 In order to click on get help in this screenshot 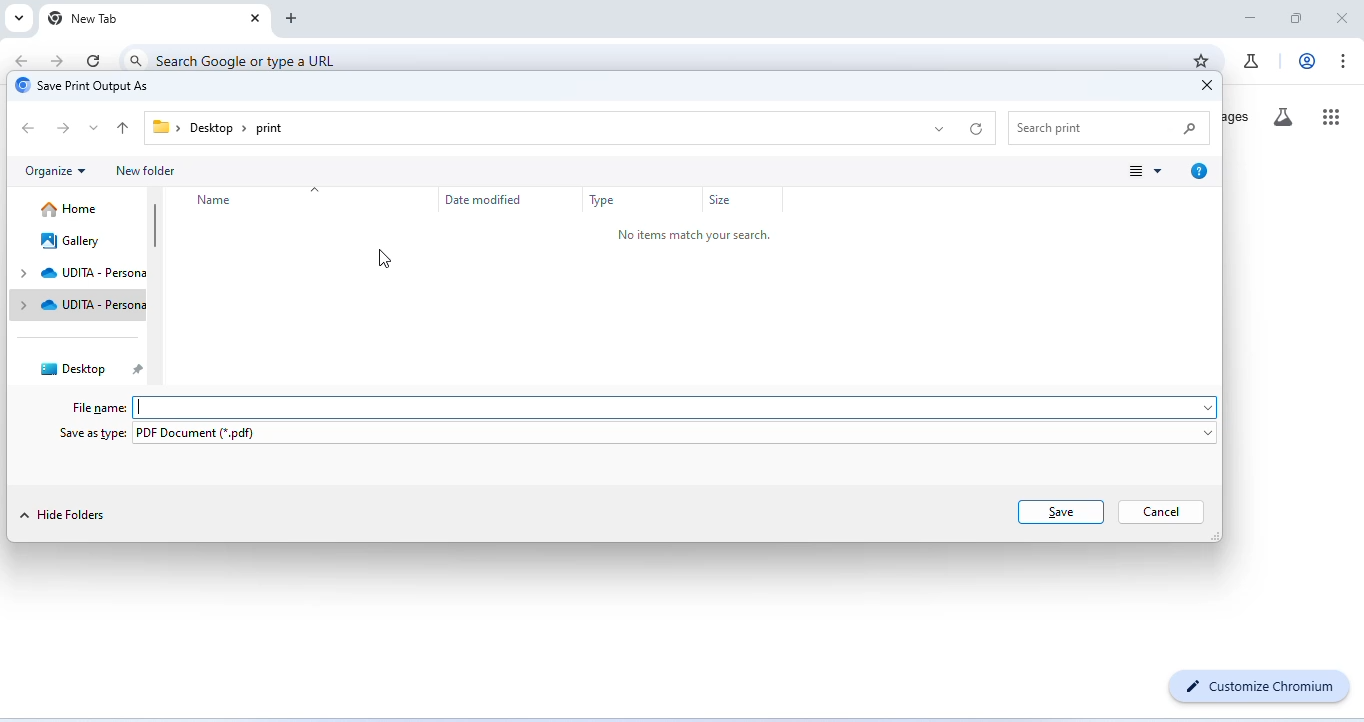, I will do `click(1199, 172)`.